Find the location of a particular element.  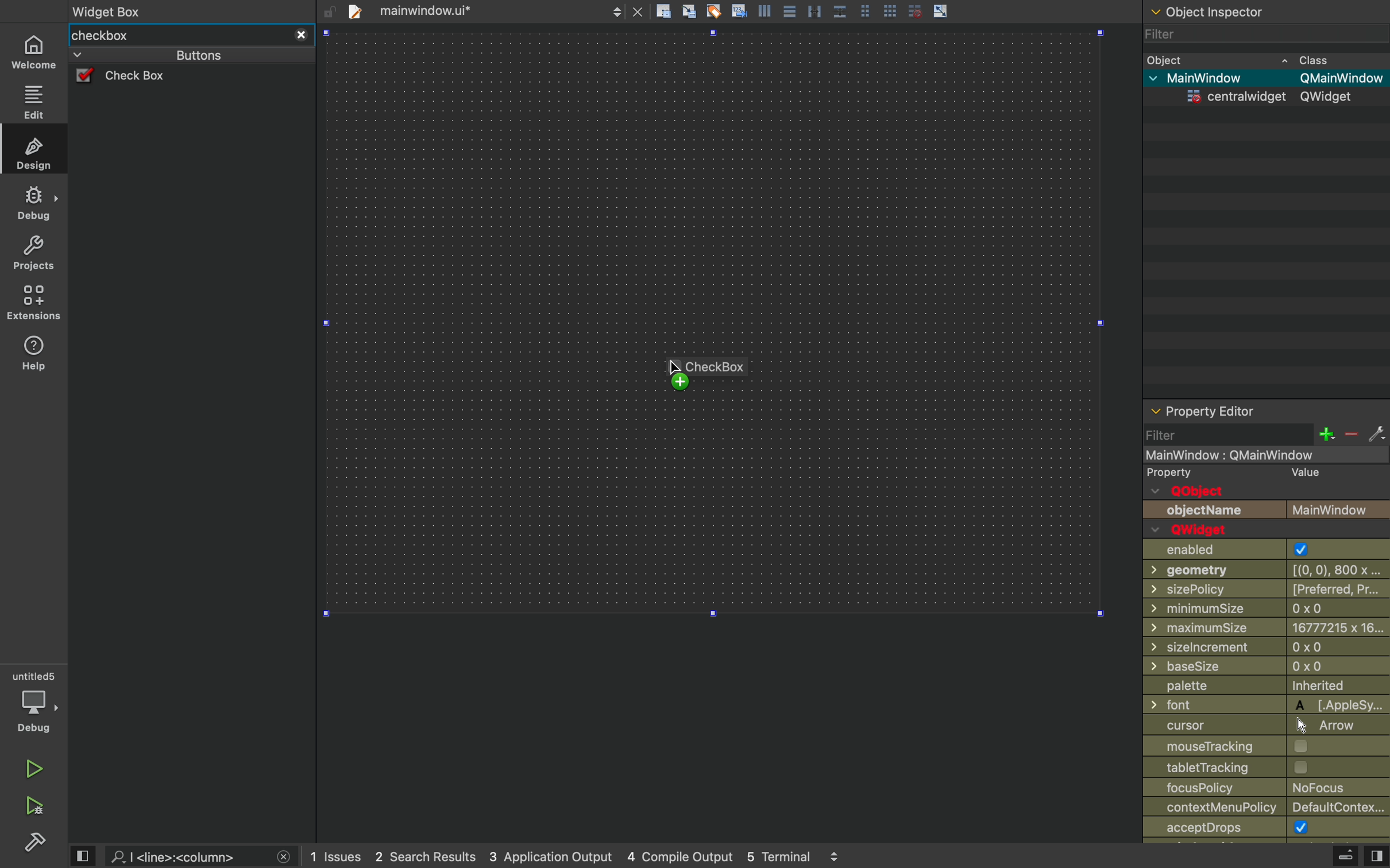

focus policy is located at coordinates (1260, 788).